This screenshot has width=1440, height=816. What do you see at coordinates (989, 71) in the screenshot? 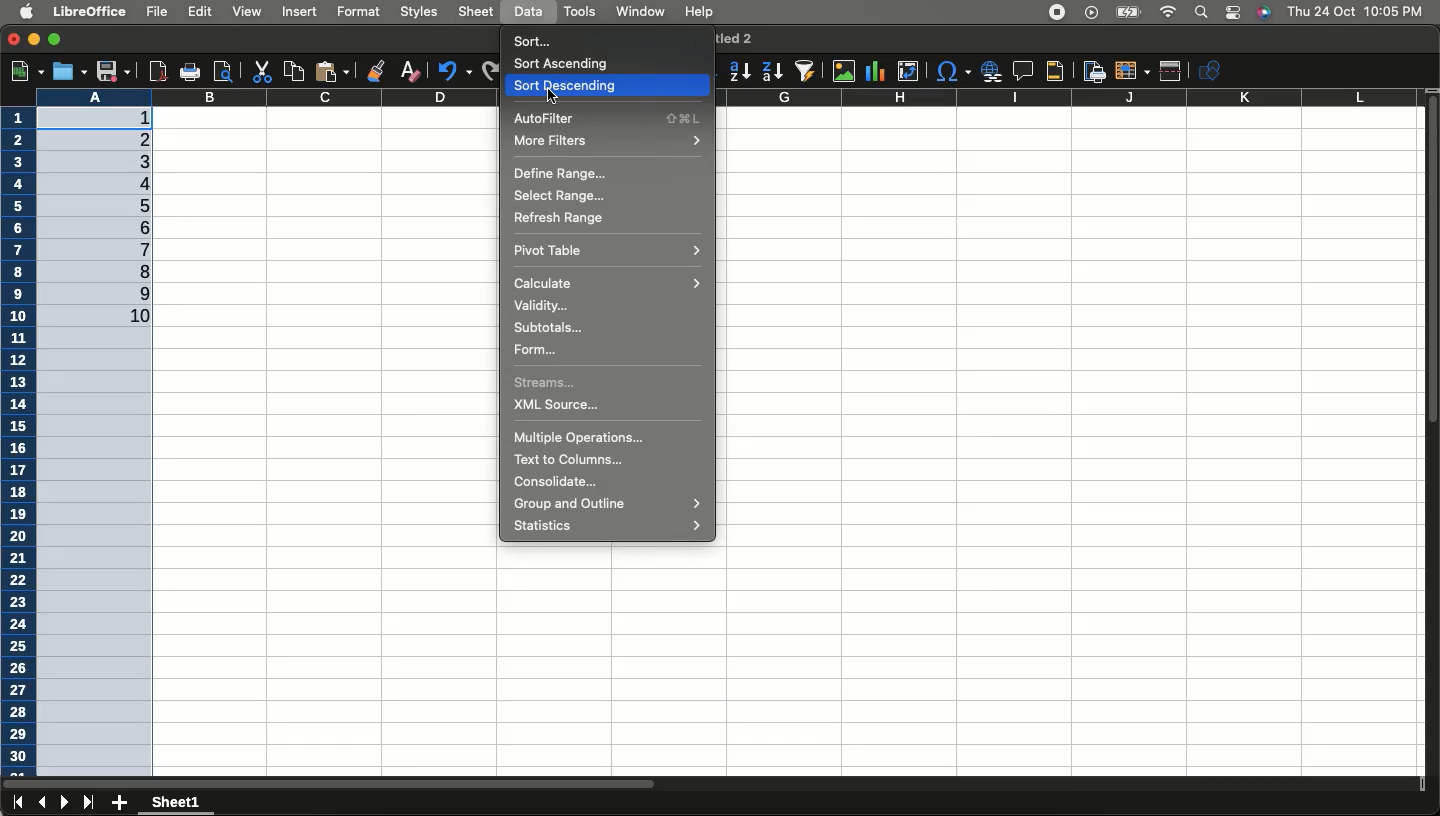
I see `Insert hyperlink` at bounding box center [989, 71].